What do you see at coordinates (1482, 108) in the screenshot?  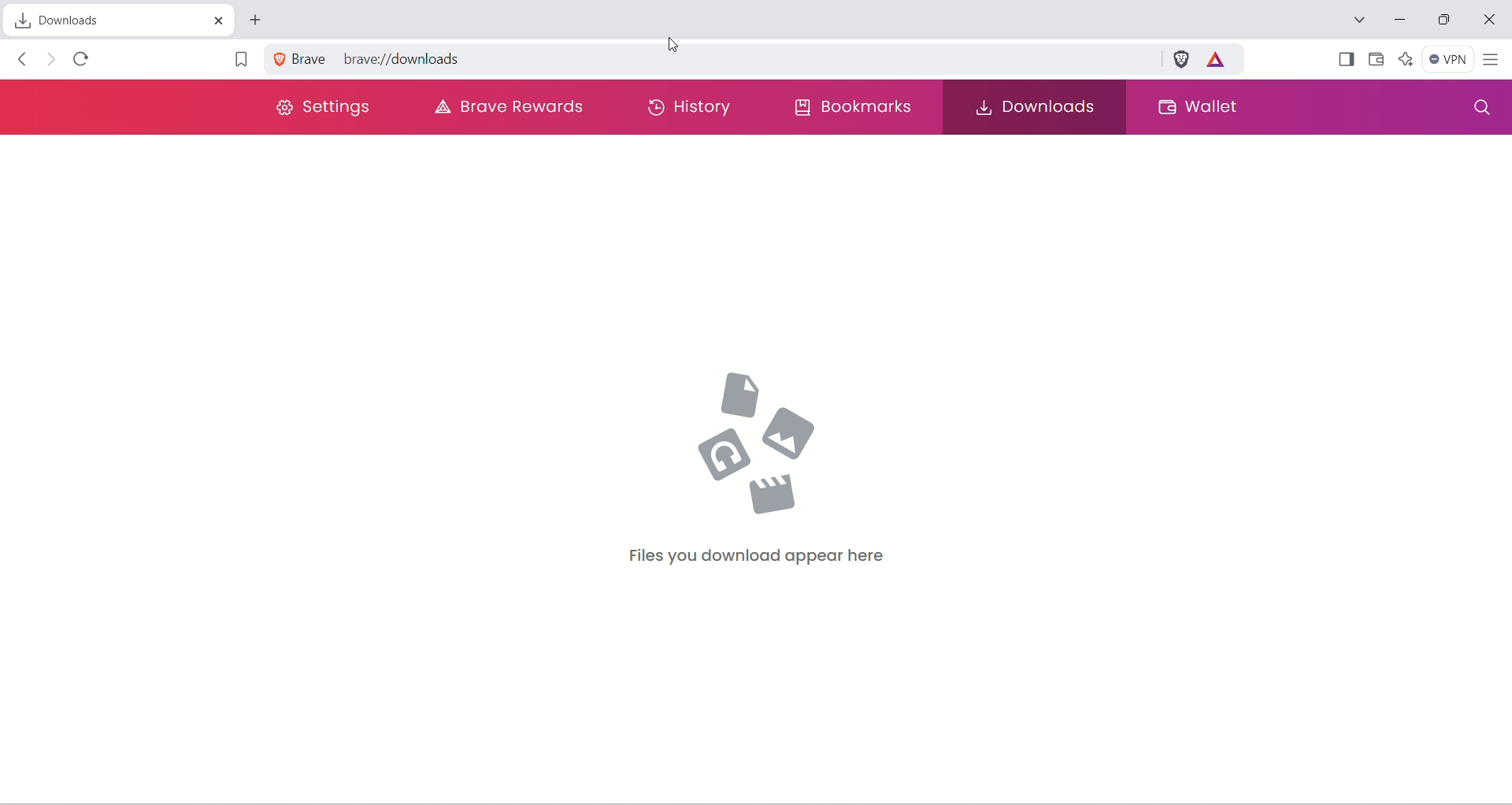 I see `search` at bounding box center [1482, 108].